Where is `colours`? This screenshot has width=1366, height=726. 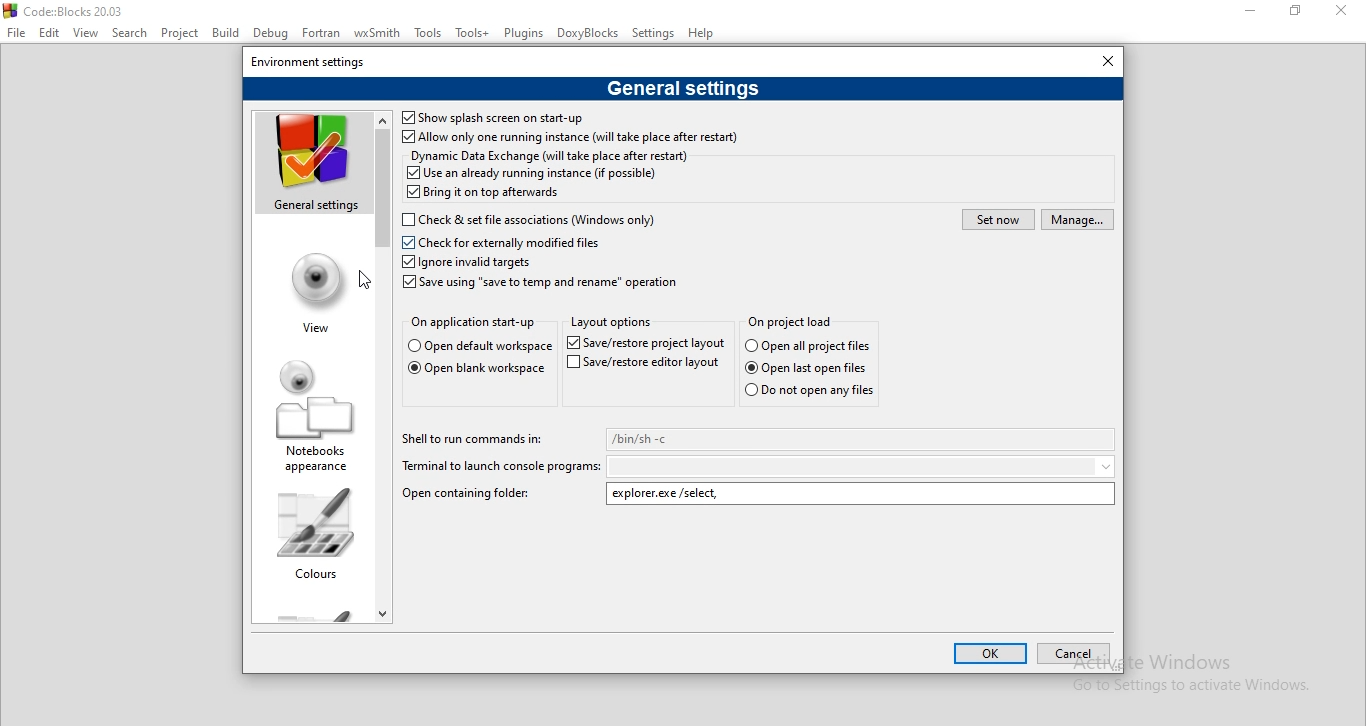 colours is located at coordinates (314, 540).